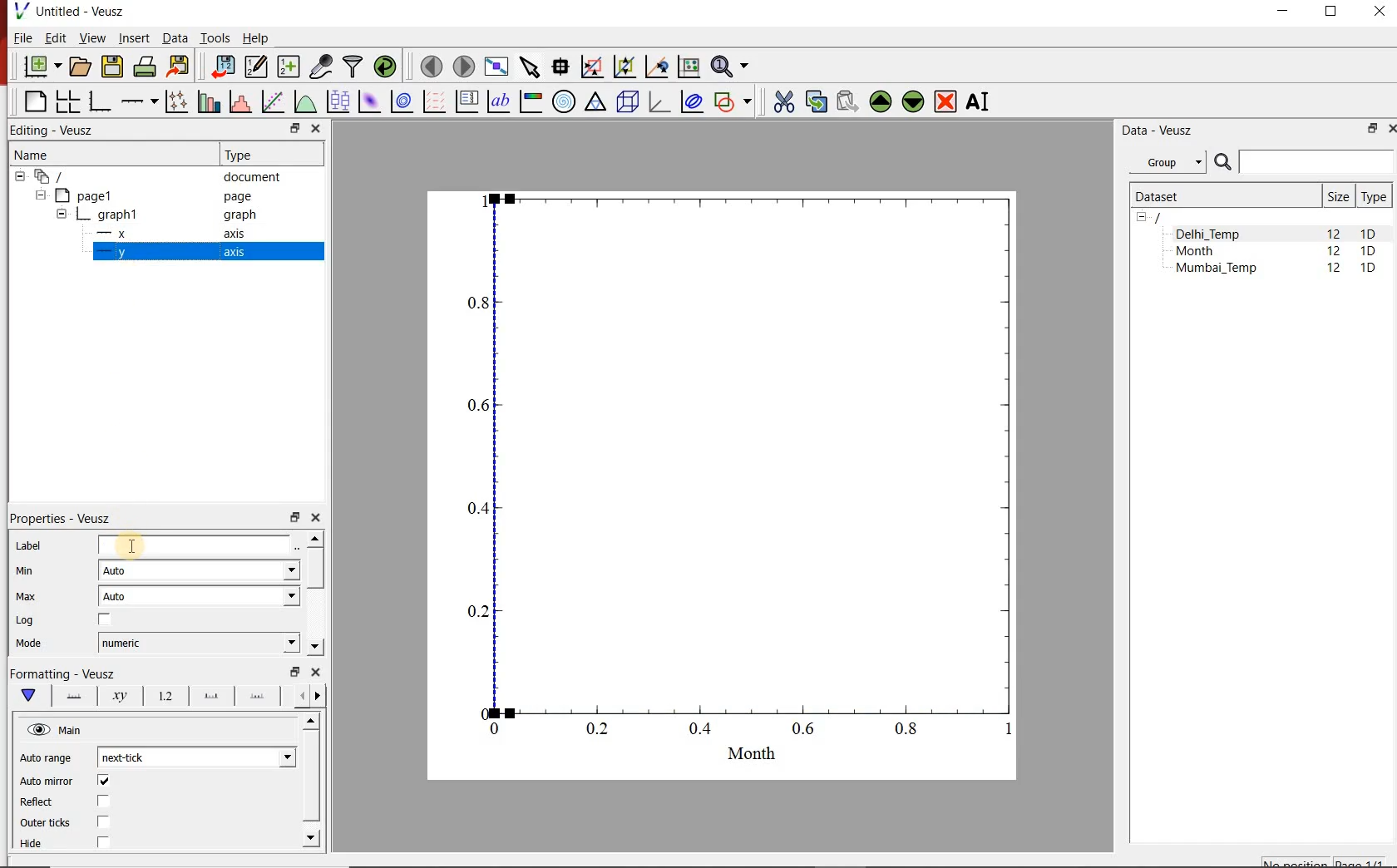  What do you see at coordinates (314, 594) in the screenshot?
I see `scrollbar` at bounding box center [314, 594].